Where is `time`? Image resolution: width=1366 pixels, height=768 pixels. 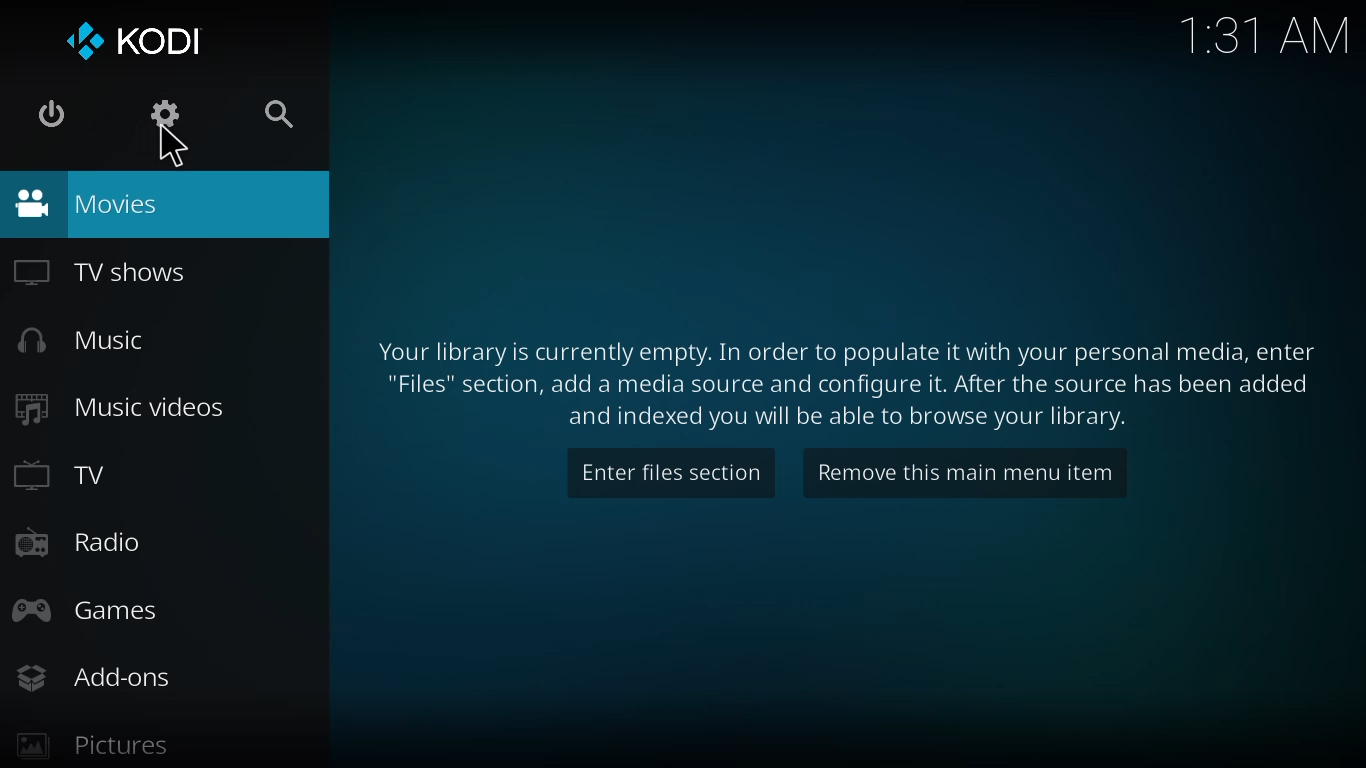 time is located at coordinates (1261, 36).